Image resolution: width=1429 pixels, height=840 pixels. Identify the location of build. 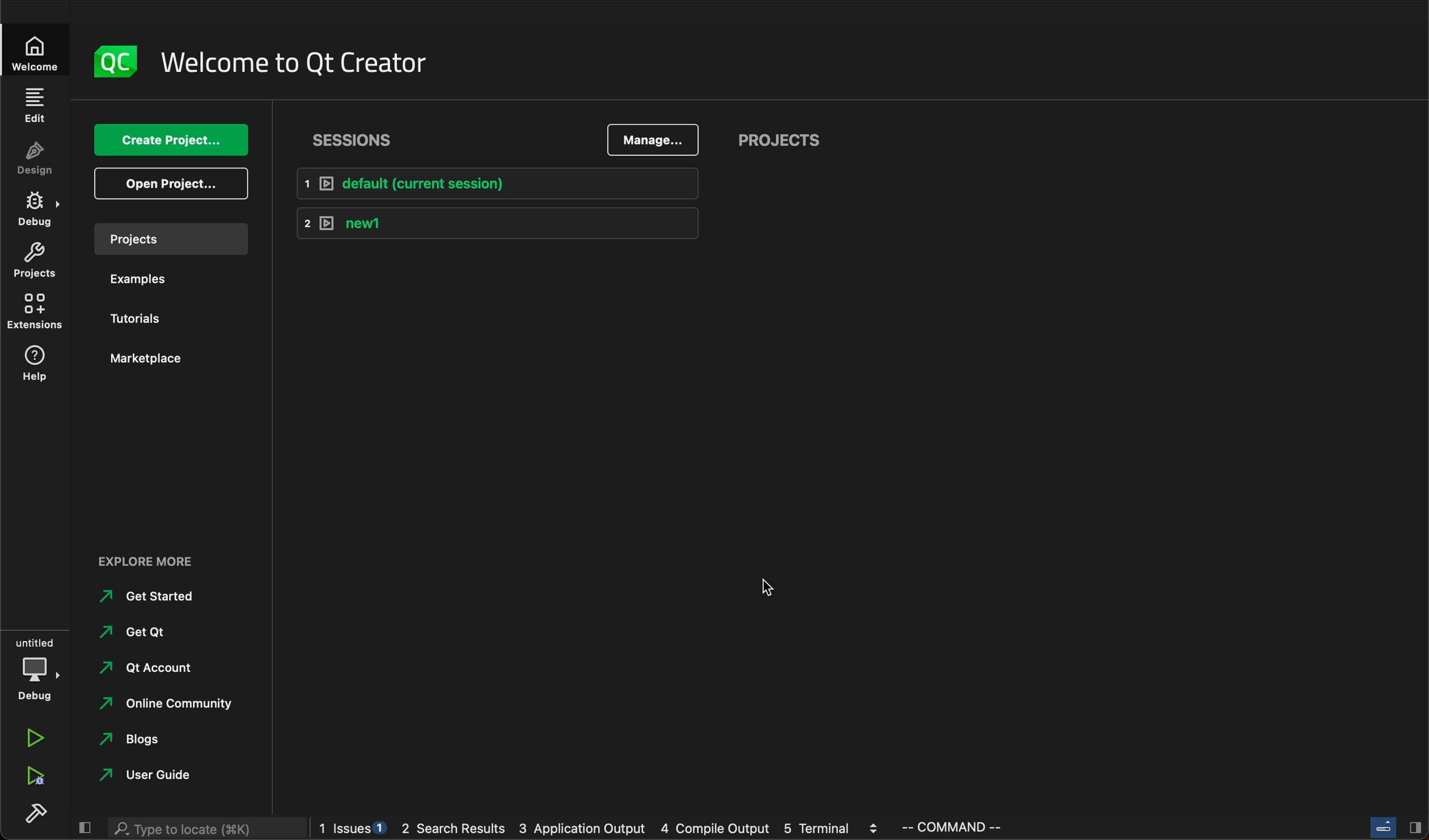
(34, 813).